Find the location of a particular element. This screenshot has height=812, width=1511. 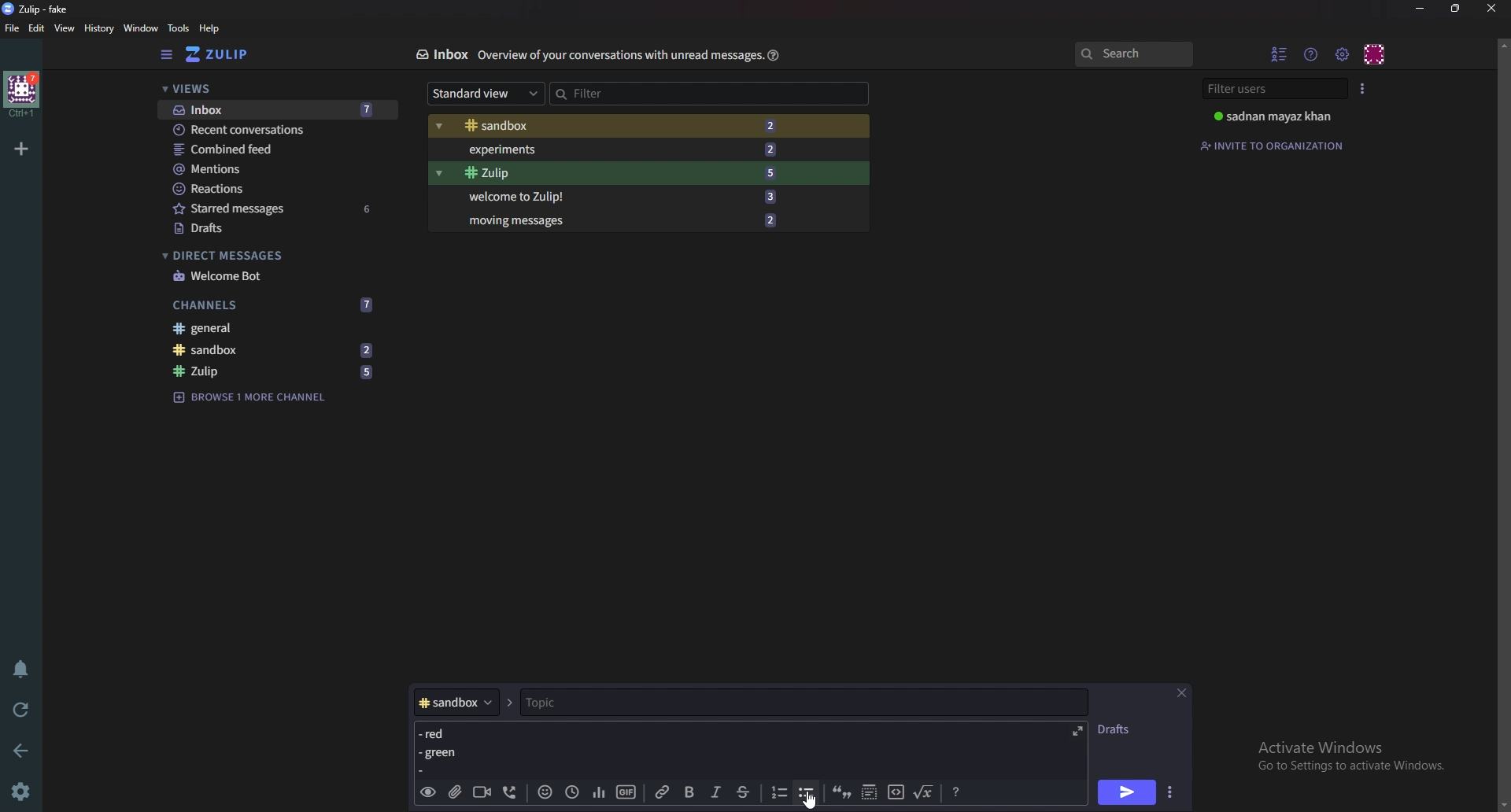

Add organization is located at coordinates (20, 148).